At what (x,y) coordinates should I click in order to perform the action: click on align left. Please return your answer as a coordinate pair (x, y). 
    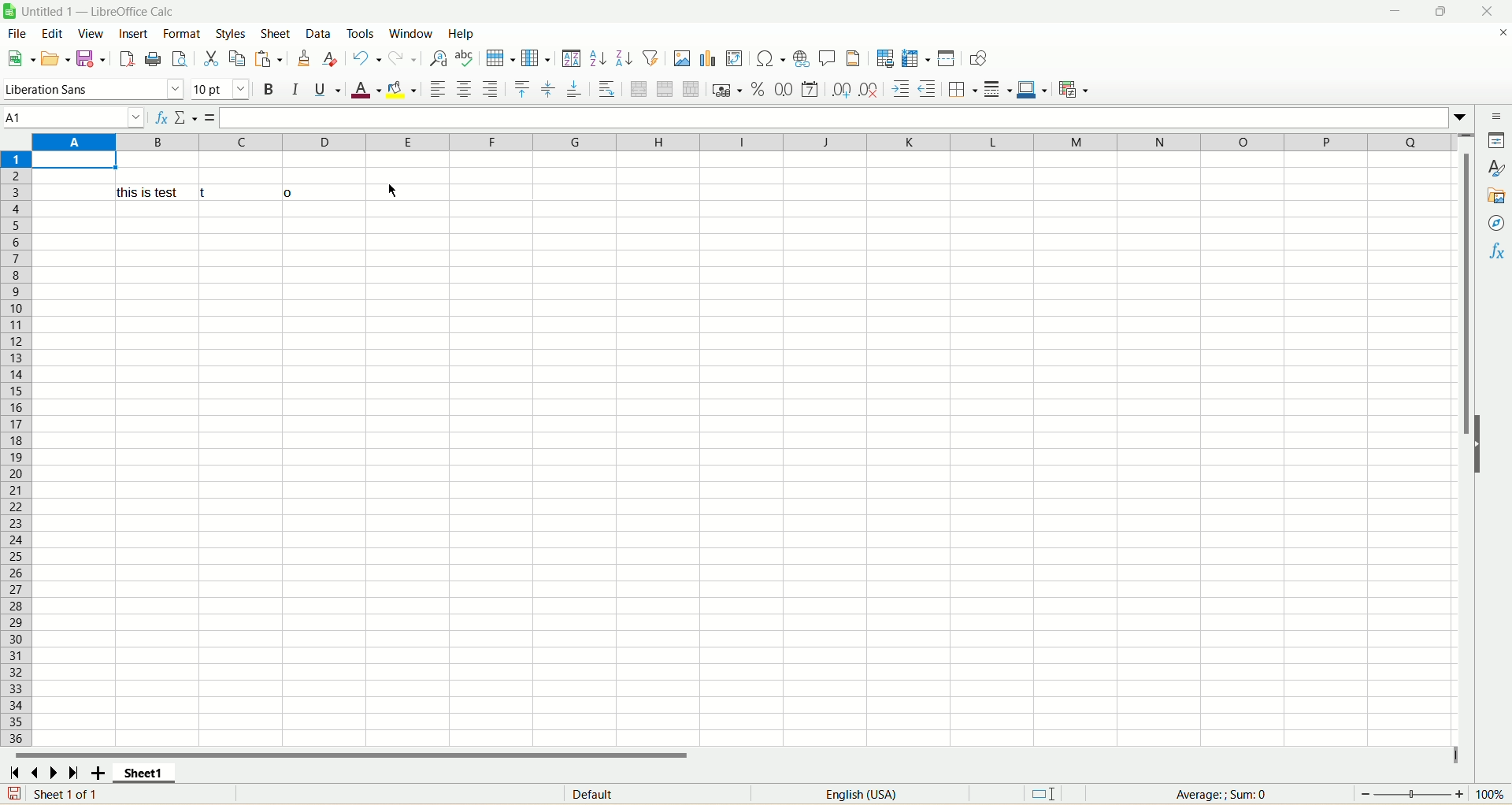
    Looking at the image, I should click on (440, 89).